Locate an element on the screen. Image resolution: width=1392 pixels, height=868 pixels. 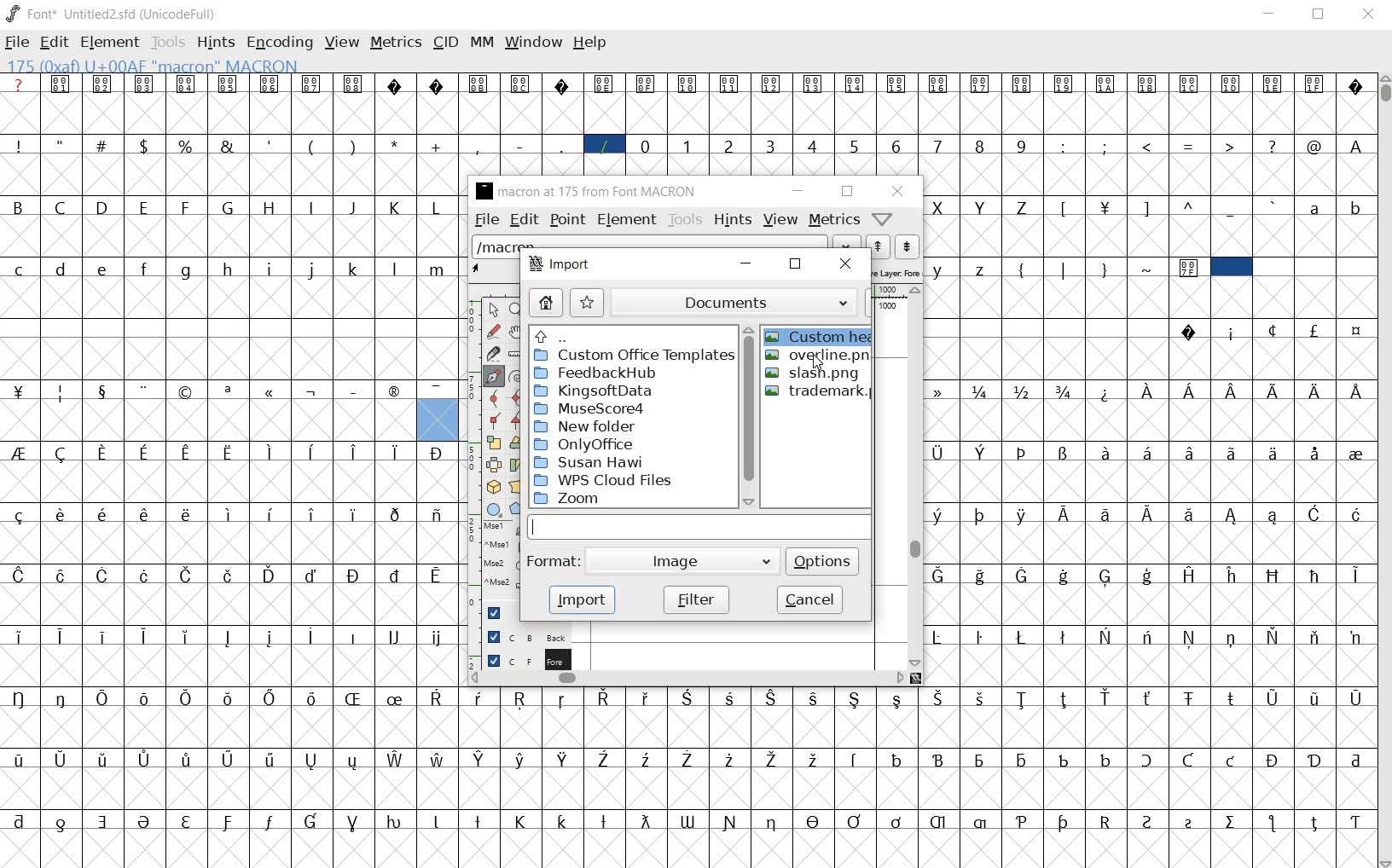
Symbol is located at coordinates (315, 699).